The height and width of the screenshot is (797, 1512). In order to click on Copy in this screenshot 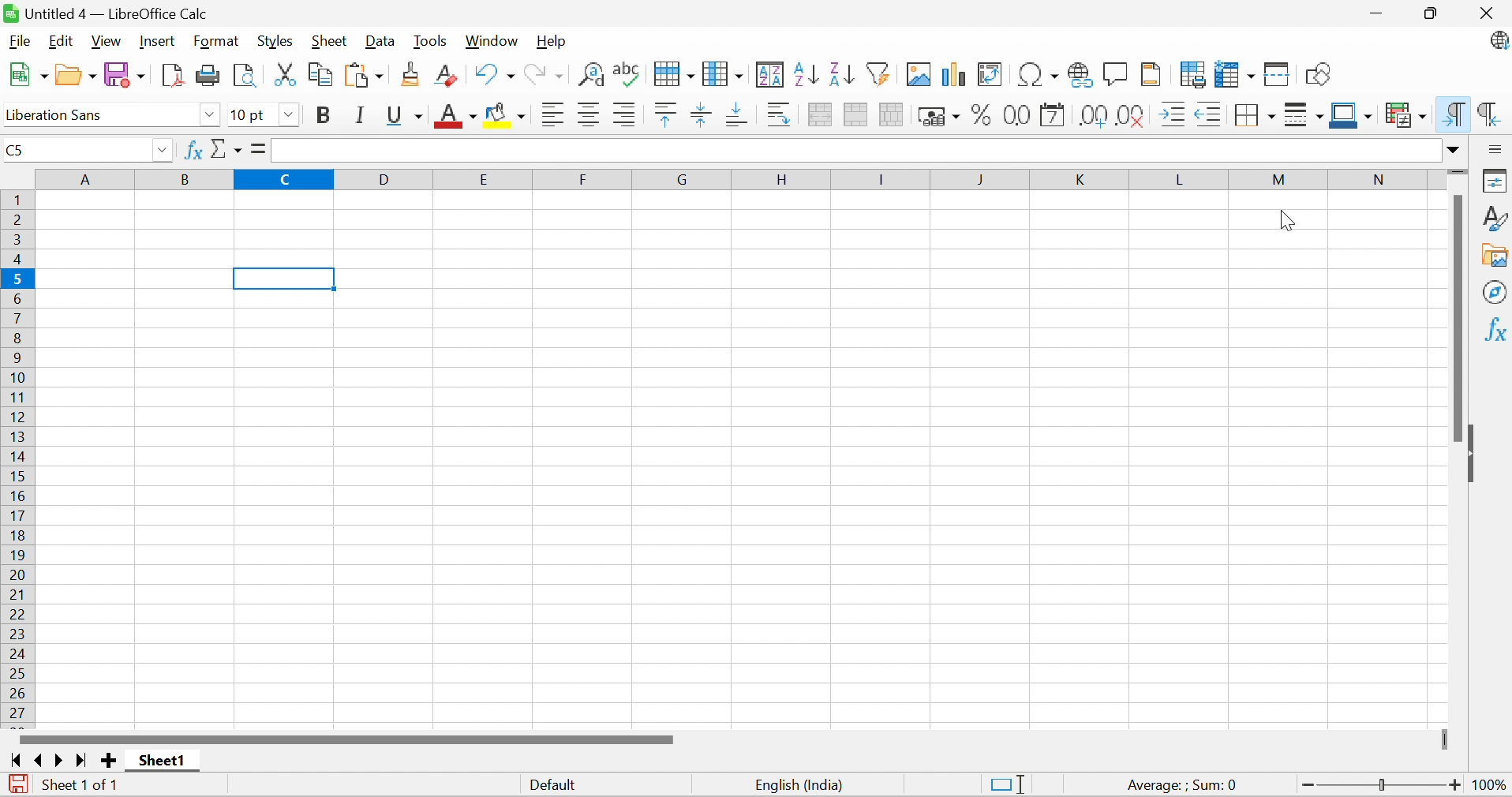, I will do `click(321, 73)`.